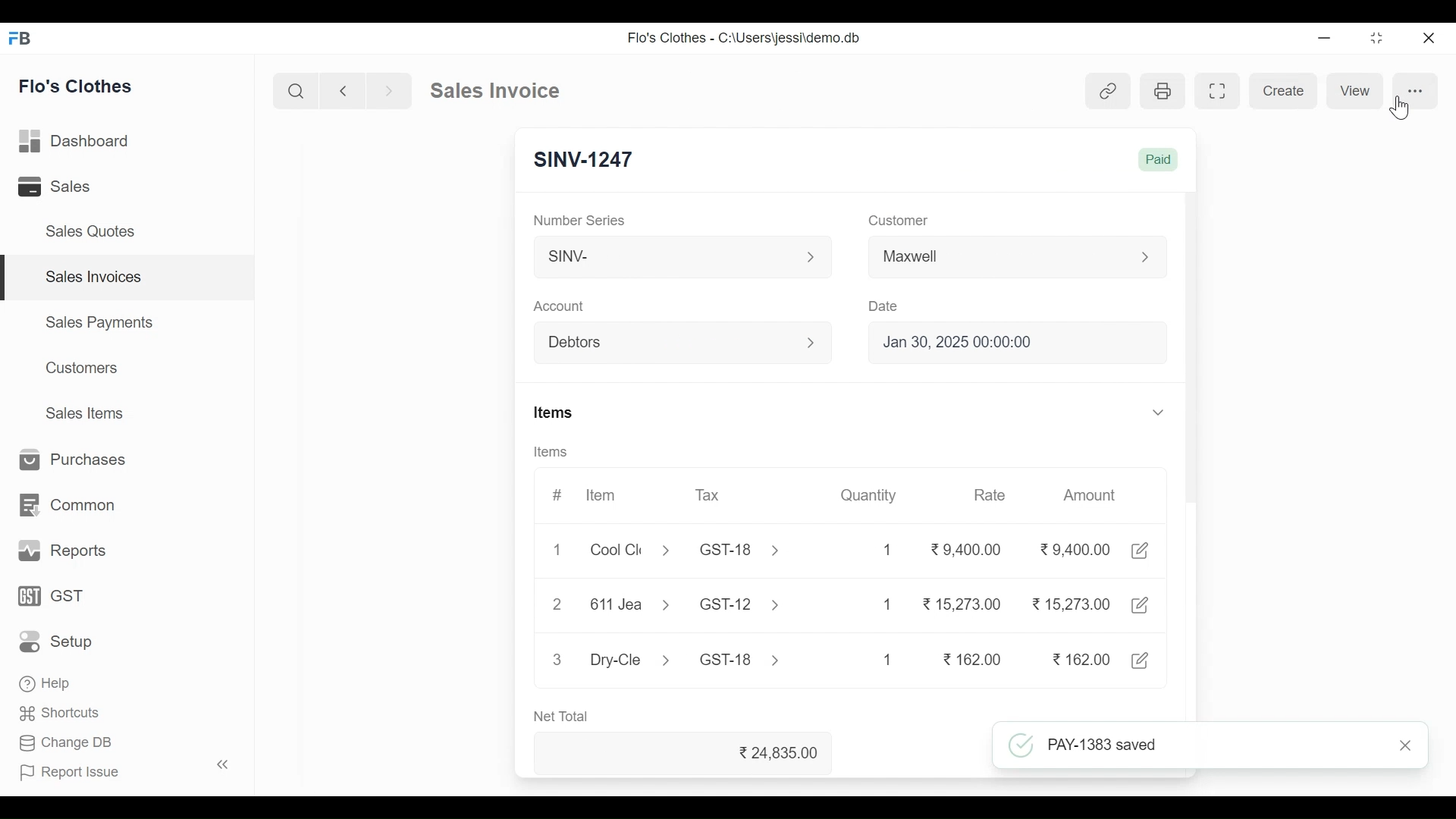 The height and width of the screenshot is (819, 1456). Describe the element at coordinates (557, 549) in the screenshot. I see `1` at that location.